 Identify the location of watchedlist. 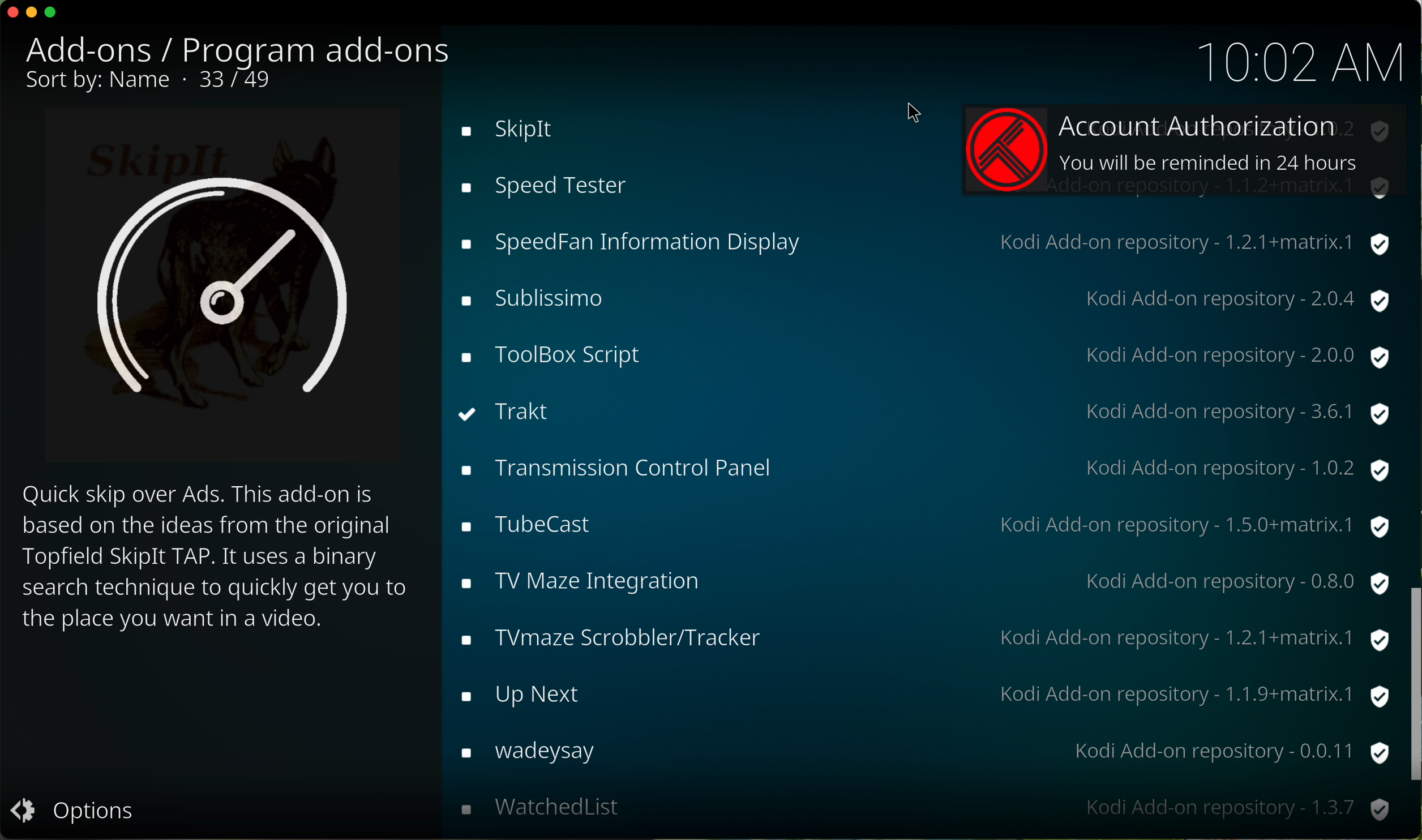
(924, 582).